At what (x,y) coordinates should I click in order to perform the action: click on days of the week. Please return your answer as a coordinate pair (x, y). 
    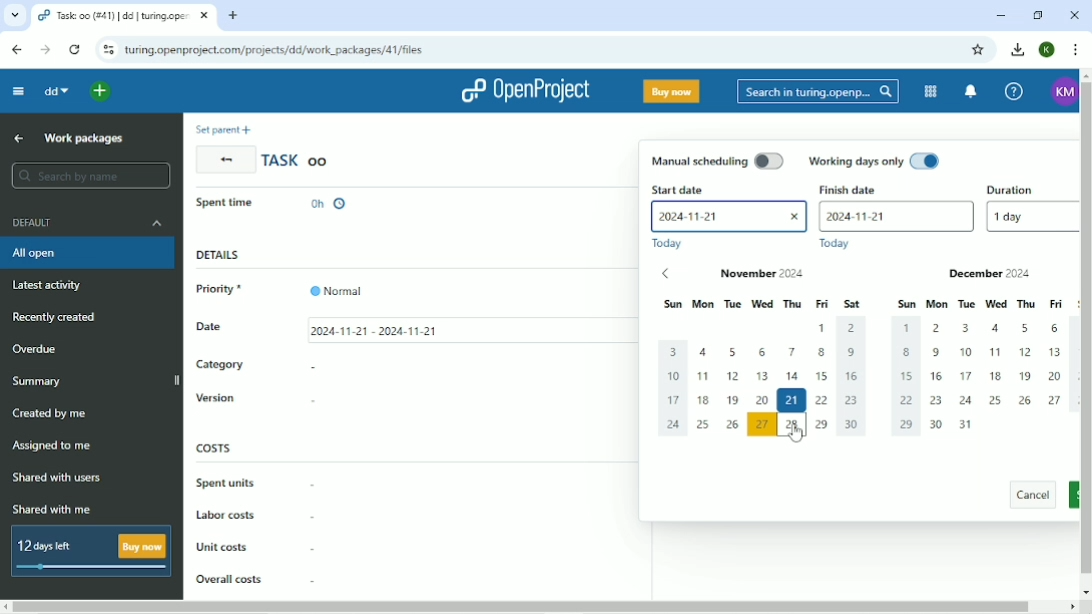
    Looking at the image, I should click on (762, 305).